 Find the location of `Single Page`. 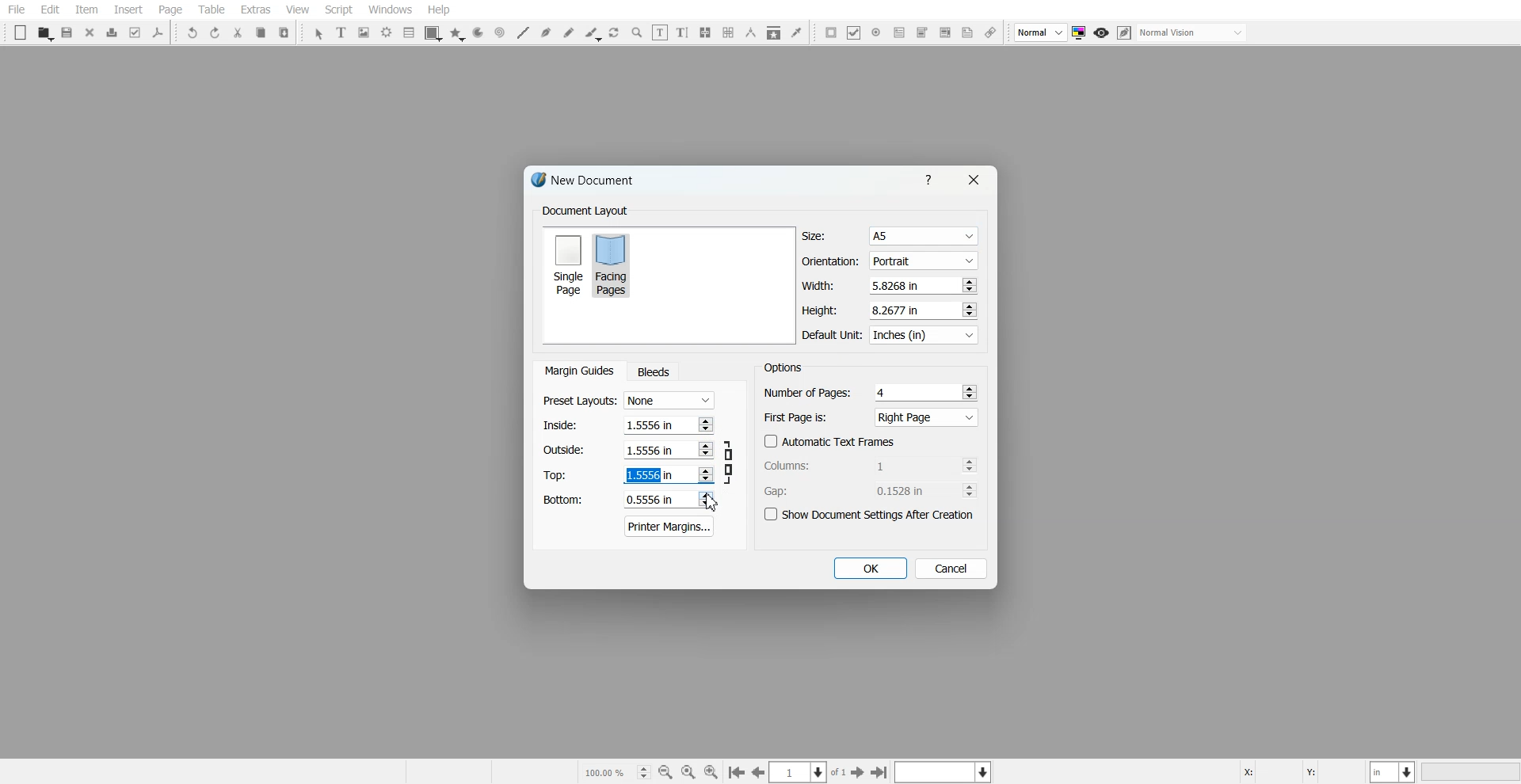

Single Page is located at coordinates (567, 264).